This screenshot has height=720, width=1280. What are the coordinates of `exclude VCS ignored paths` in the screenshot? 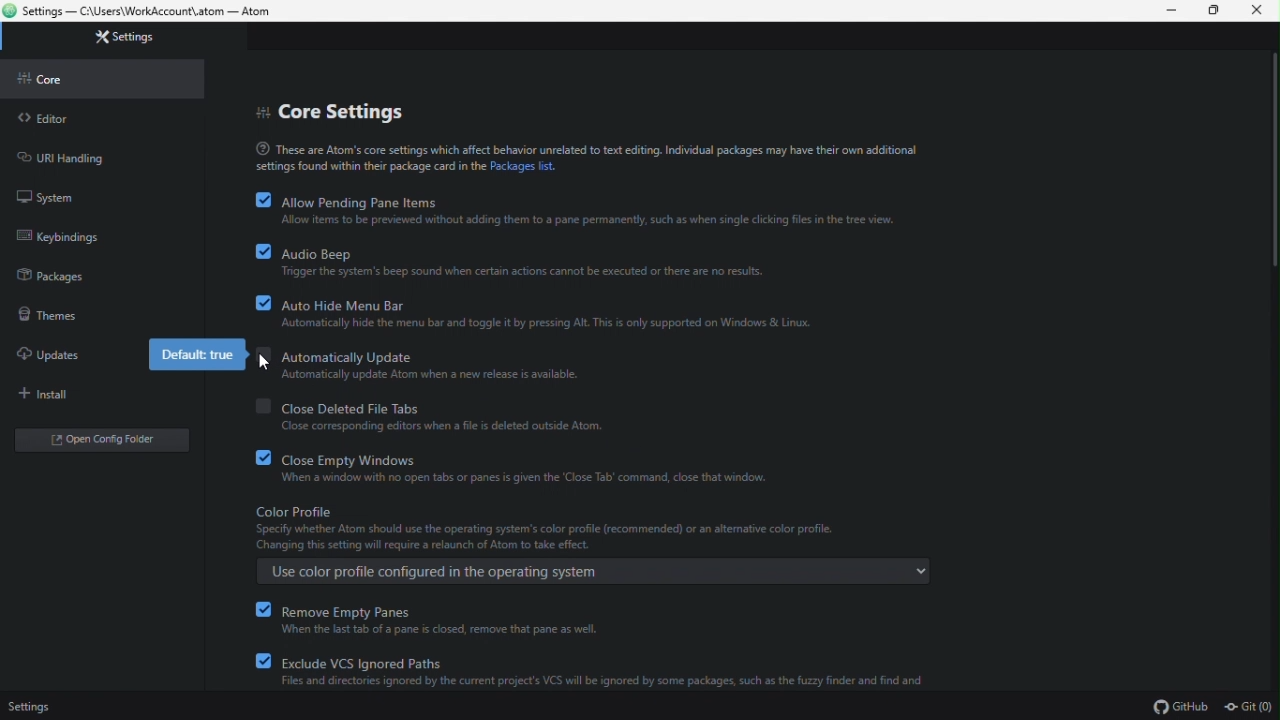 It's located at (595, 671).